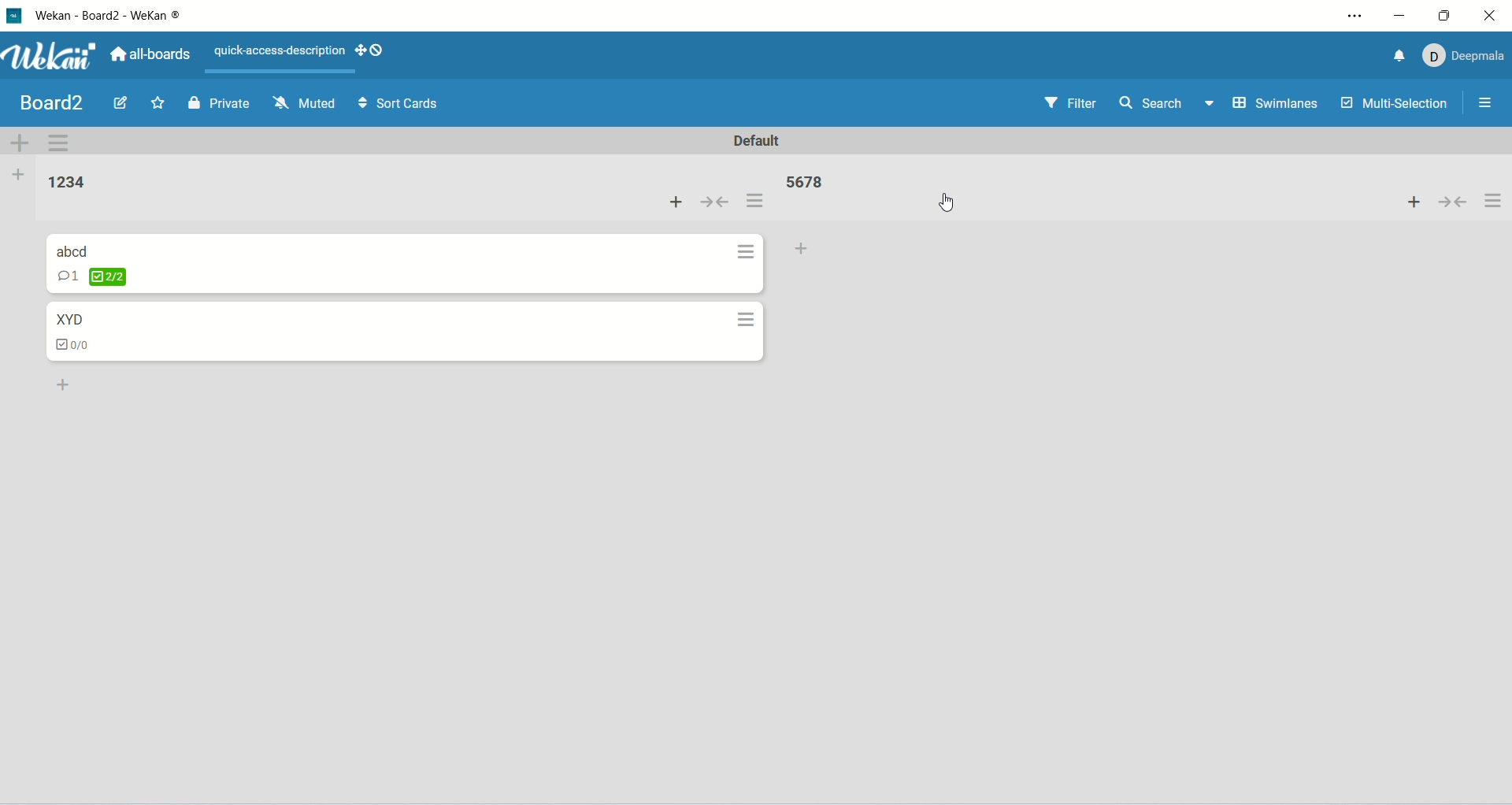 The height and width of the screenshot is (805, 1512). Describe the element at coordinates (951, 206) in the screenshot. I see `cursor` at that location.